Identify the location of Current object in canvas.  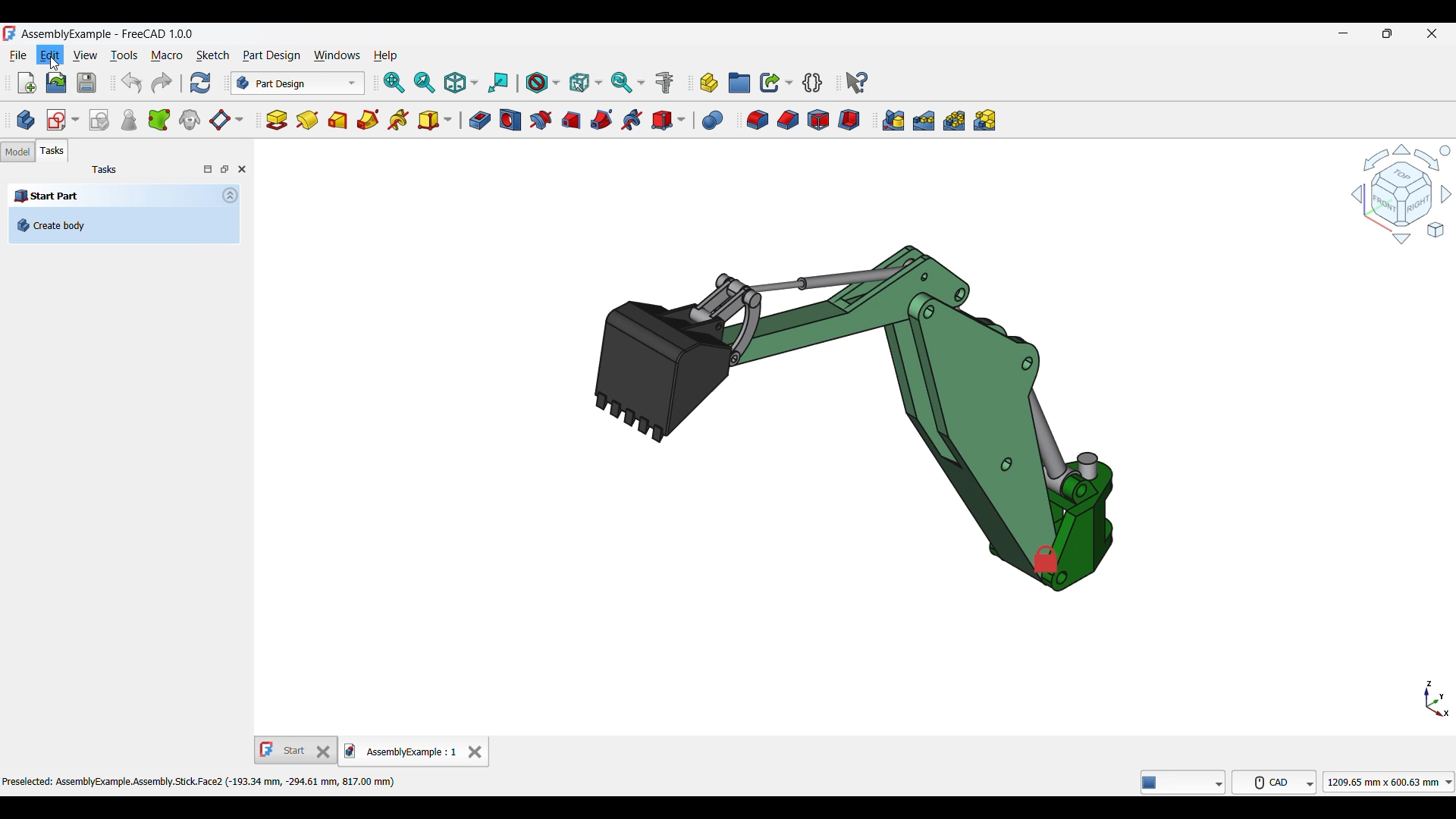
(854, 413).